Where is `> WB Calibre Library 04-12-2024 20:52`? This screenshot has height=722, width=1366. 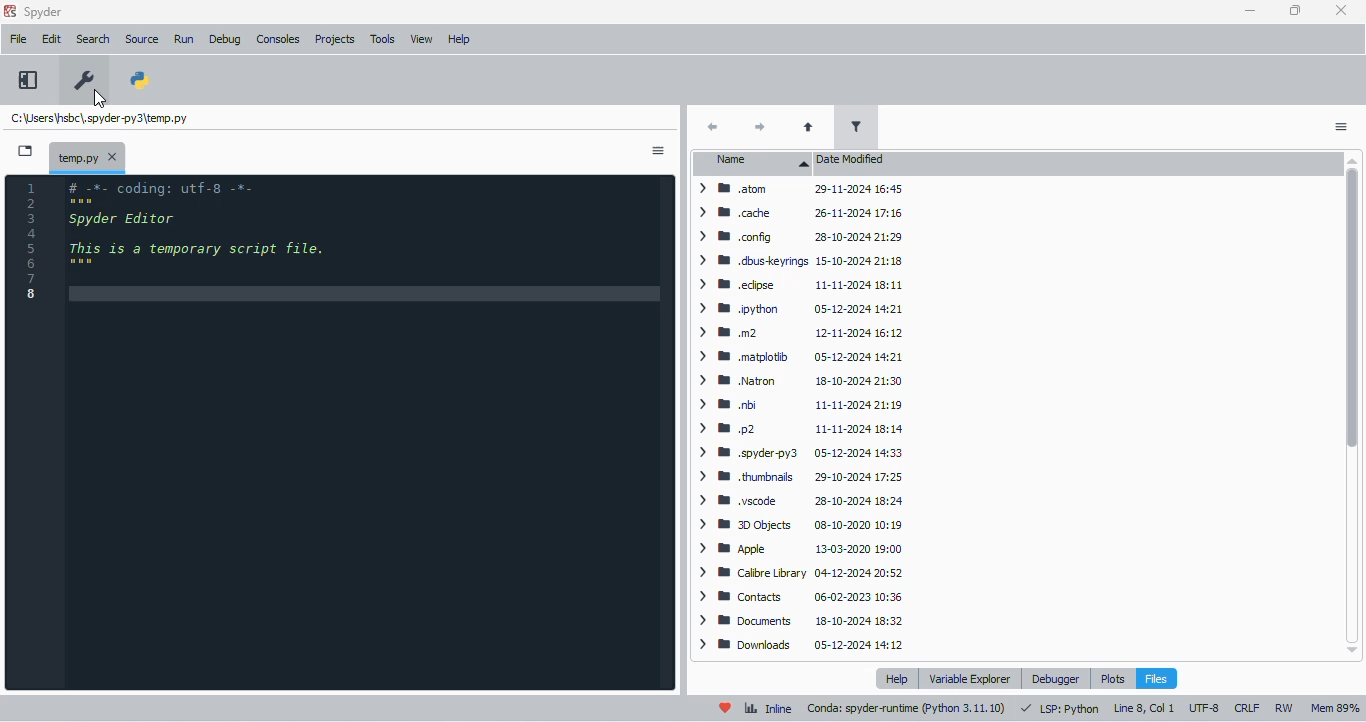 > WB Calibre Library 04-12-2024 20:52 is located at coordinates (800, 572).